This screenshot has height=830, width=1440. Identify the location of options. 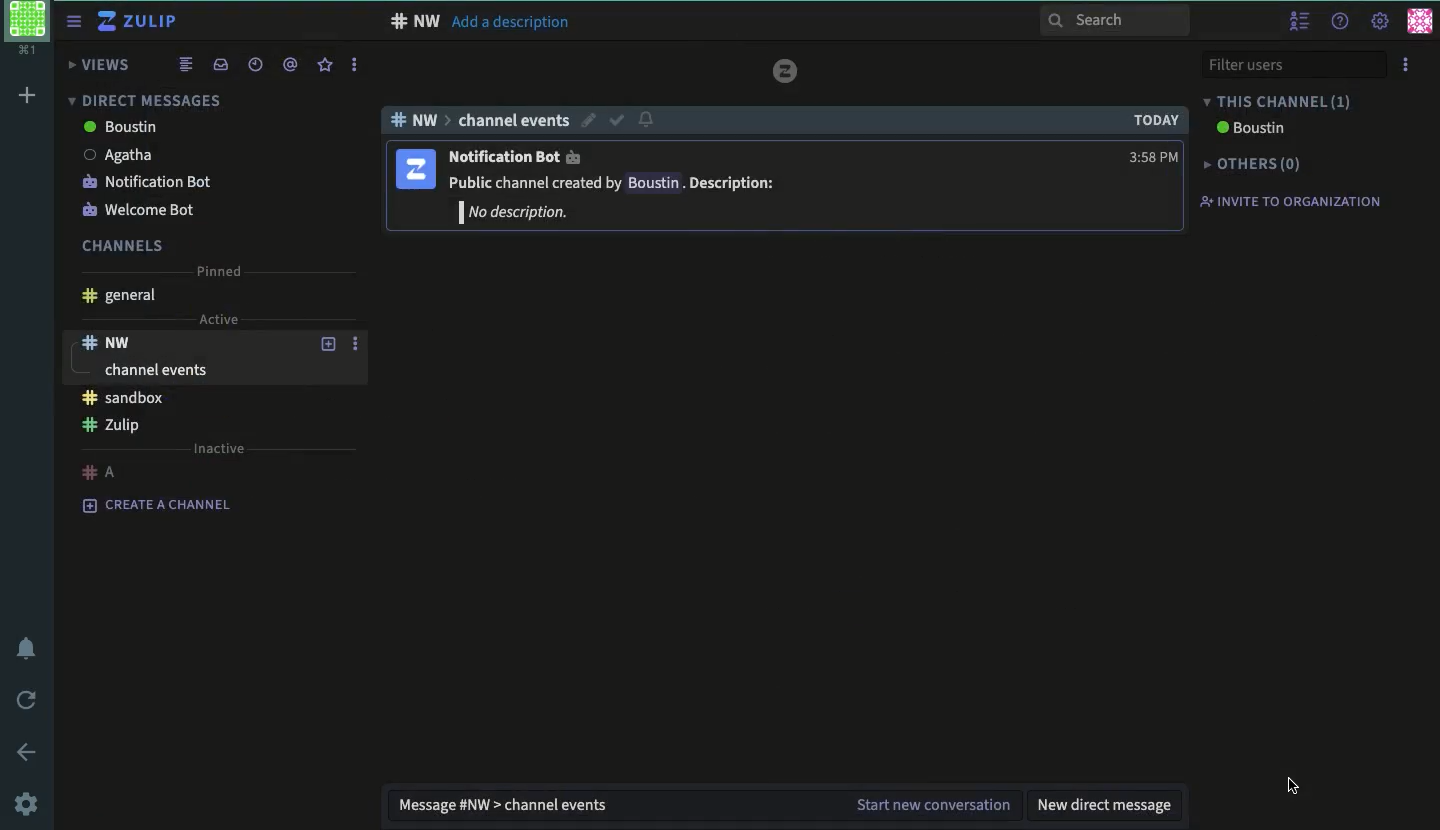
(353, 67).